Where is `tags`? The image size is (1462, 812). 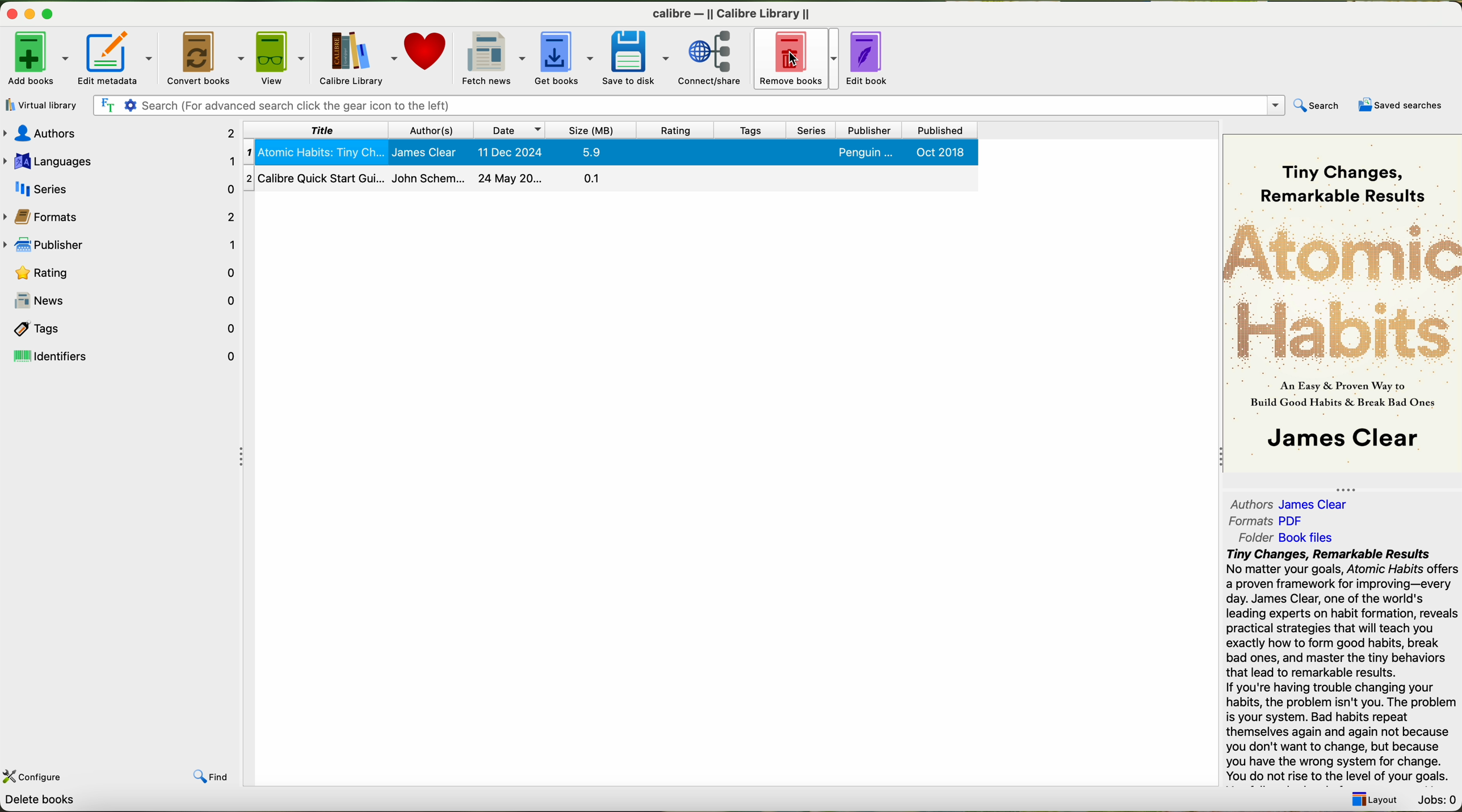 tags is located at coordinates (120, 330).